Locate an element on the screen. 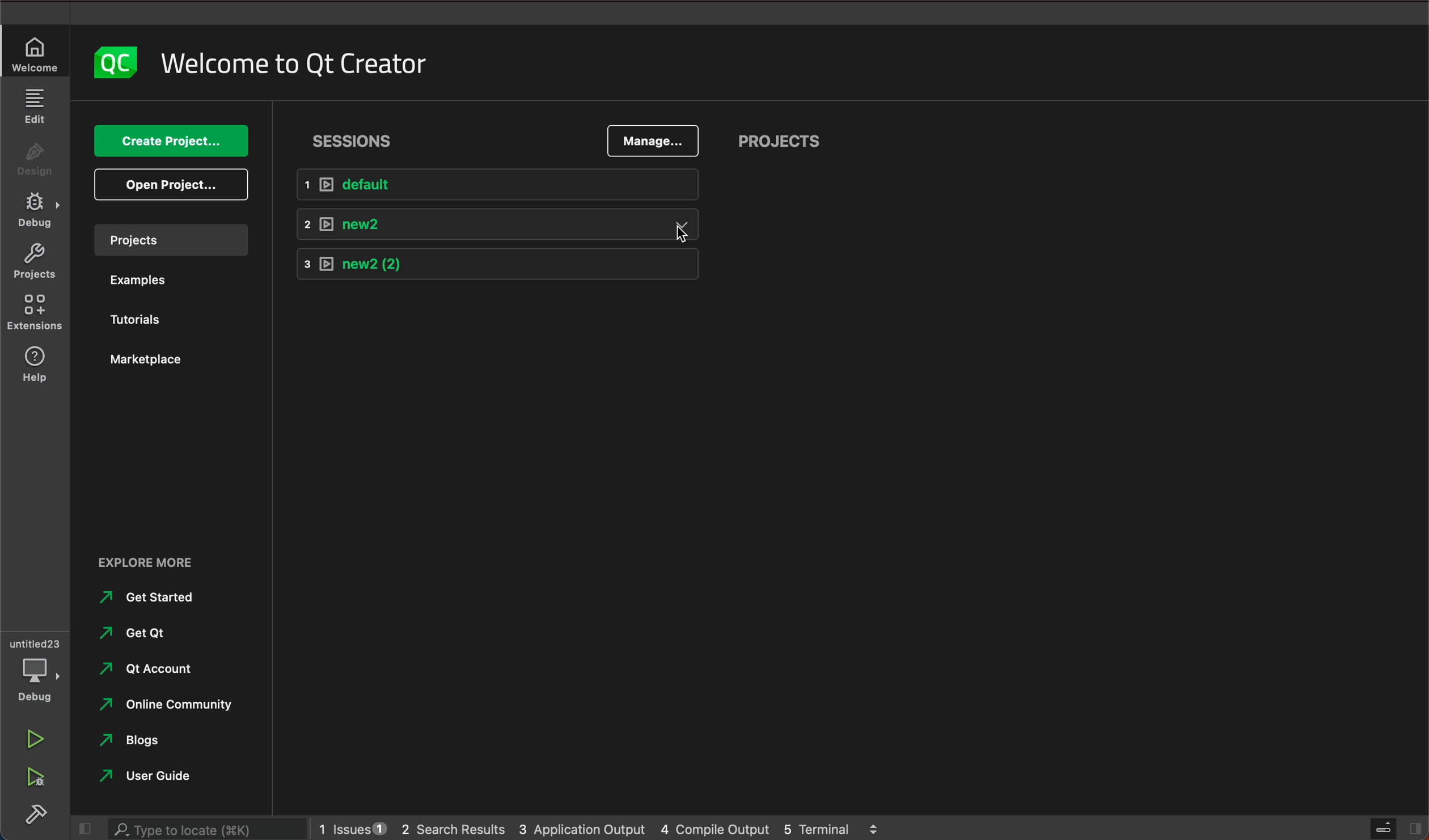 The image size is (1429, 840). search is located at coordinates (209, 829).